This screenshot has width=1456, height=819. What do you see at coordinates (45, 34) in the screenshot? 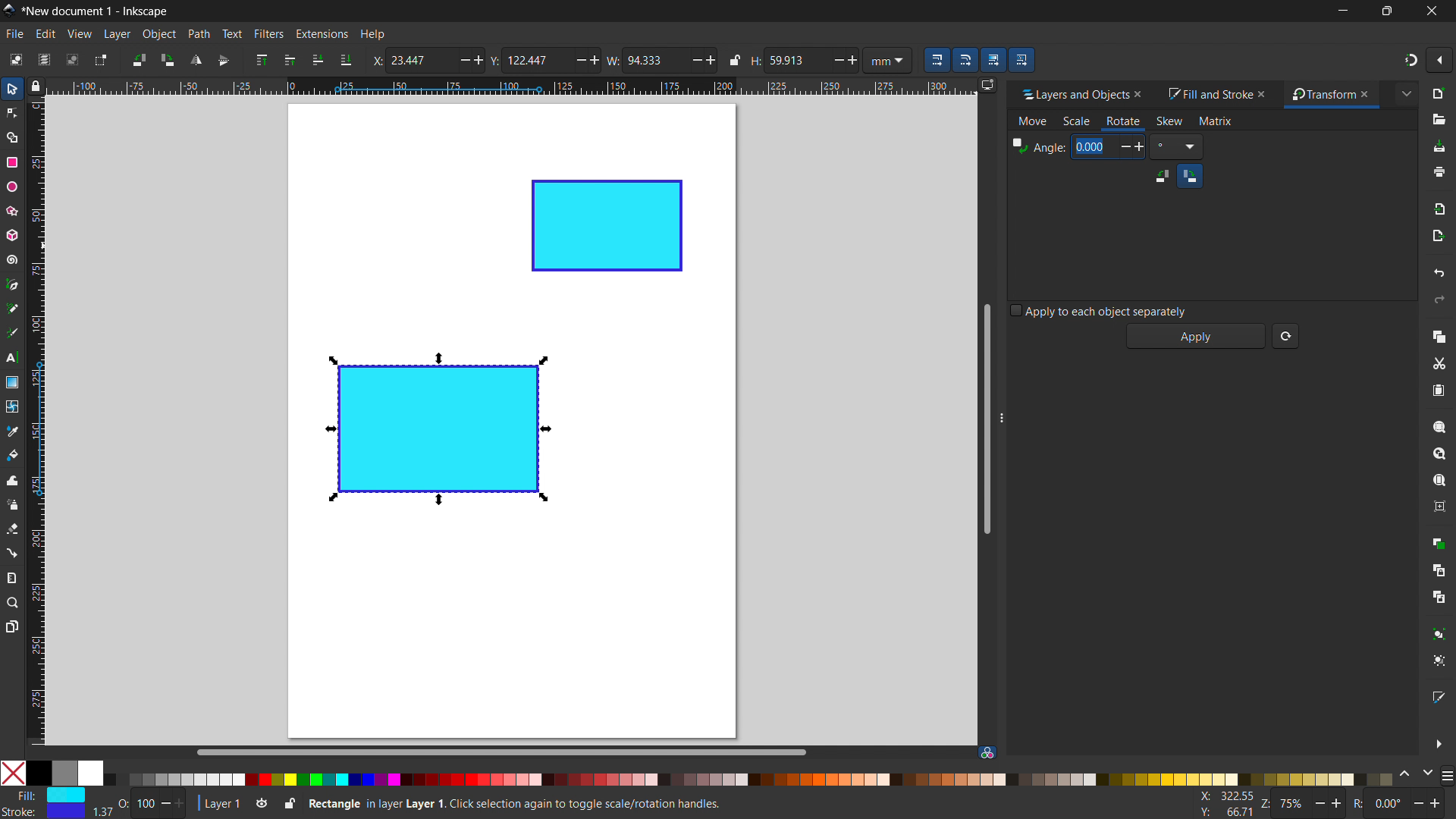
I see `edit` at bounding box center [45, 34].